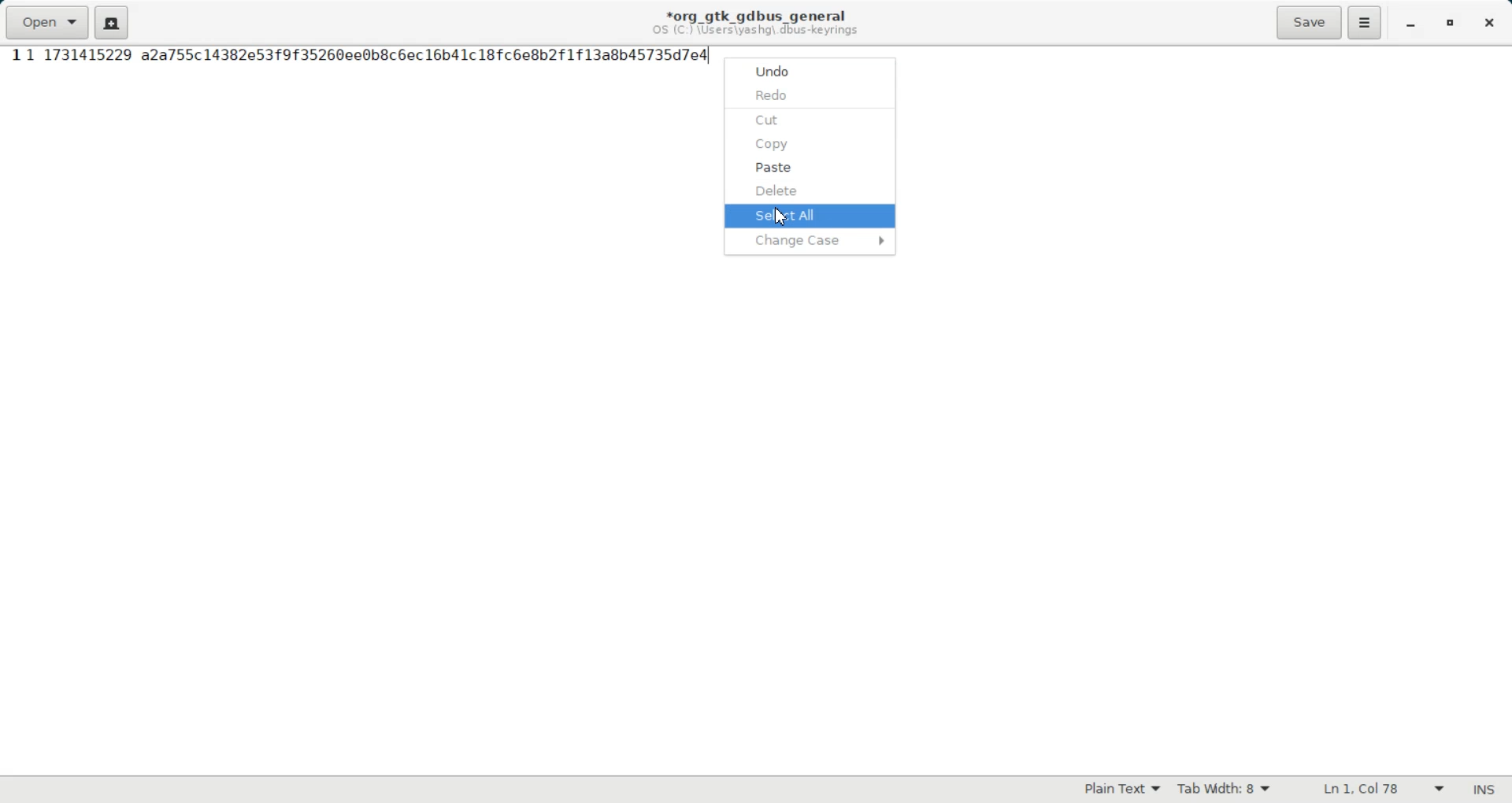 Image resolution: width=1512 pixels, height=803 pixels. What do you see at coordinates (1122, 790) in the screenshot?
I see `Plain Text` at bounding box center [1122, 790].